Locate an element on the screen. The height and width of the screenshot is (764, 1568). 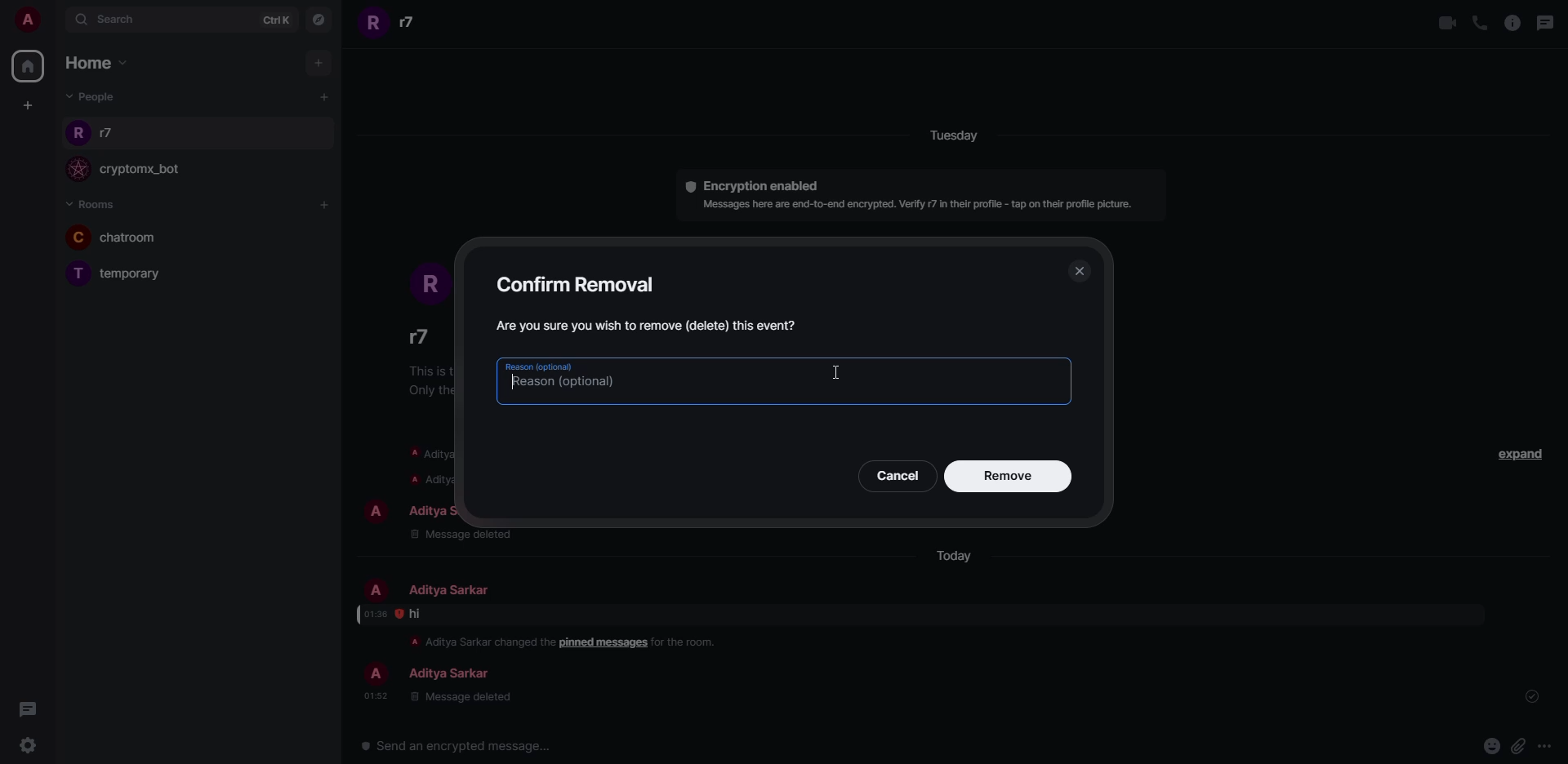
people is located at coordinates (113, 134).